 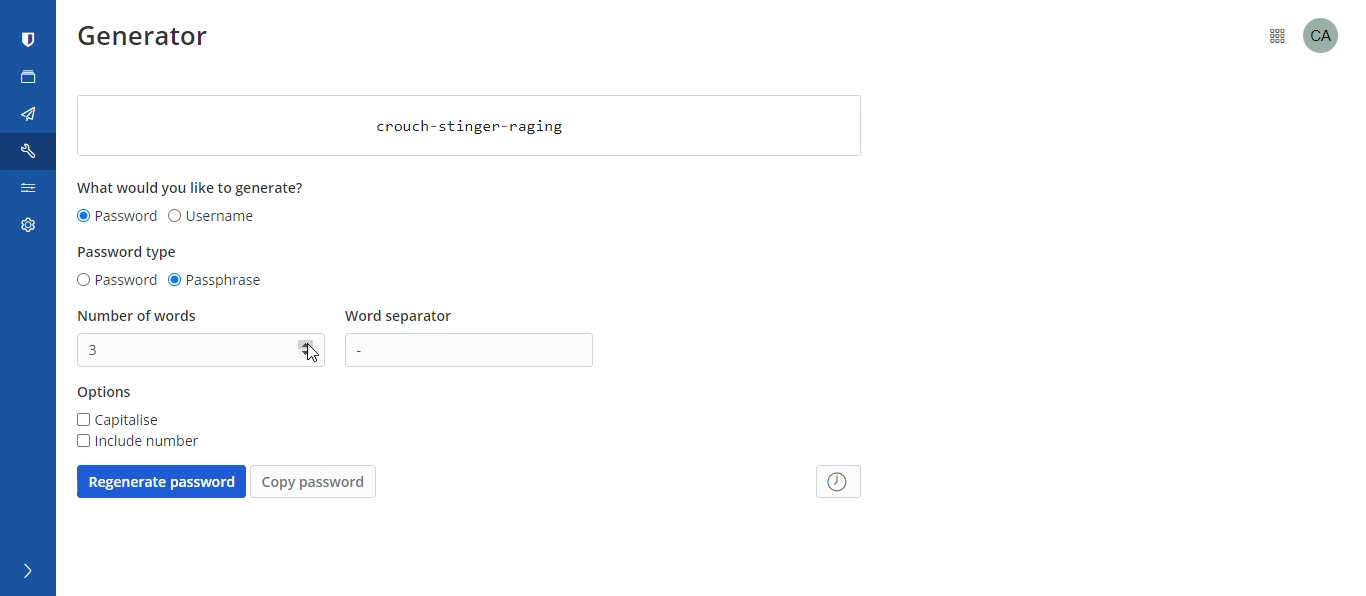 What do you see at coordinates (119, 420) in the screenshot?
I see `capitalise checkbox` at bounding box center [119, 420].